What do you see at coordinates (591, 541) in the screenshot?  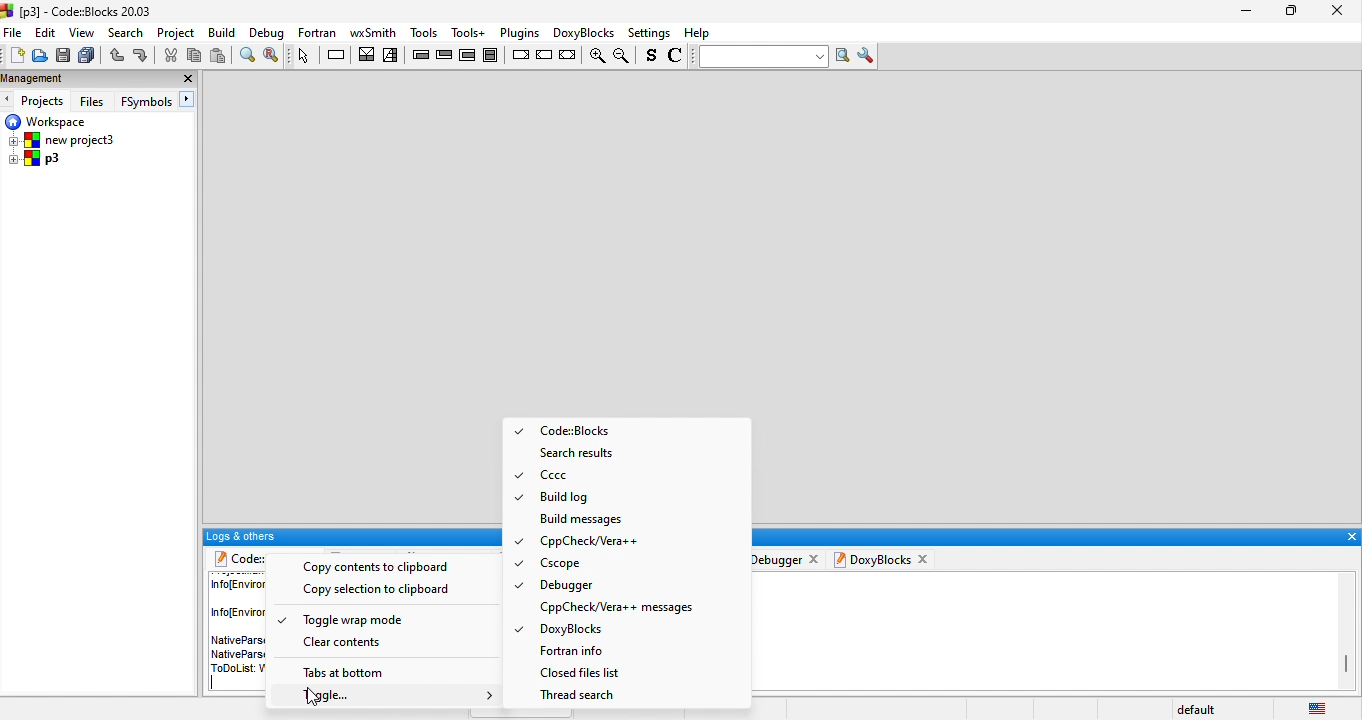 I see `Cppcheck/Vera++` at bounding box center [591, 541].